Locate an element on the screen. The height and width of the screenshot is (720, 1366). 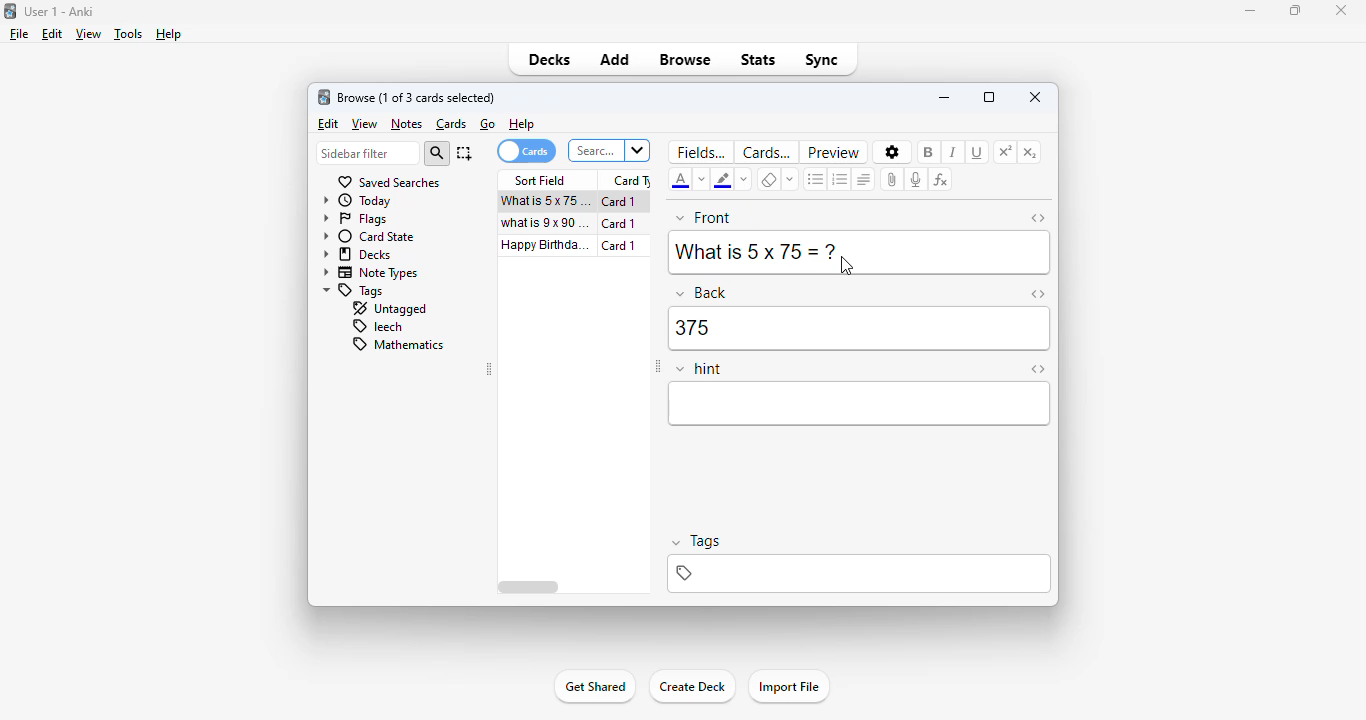
logo is located at coordinates (324, 97).